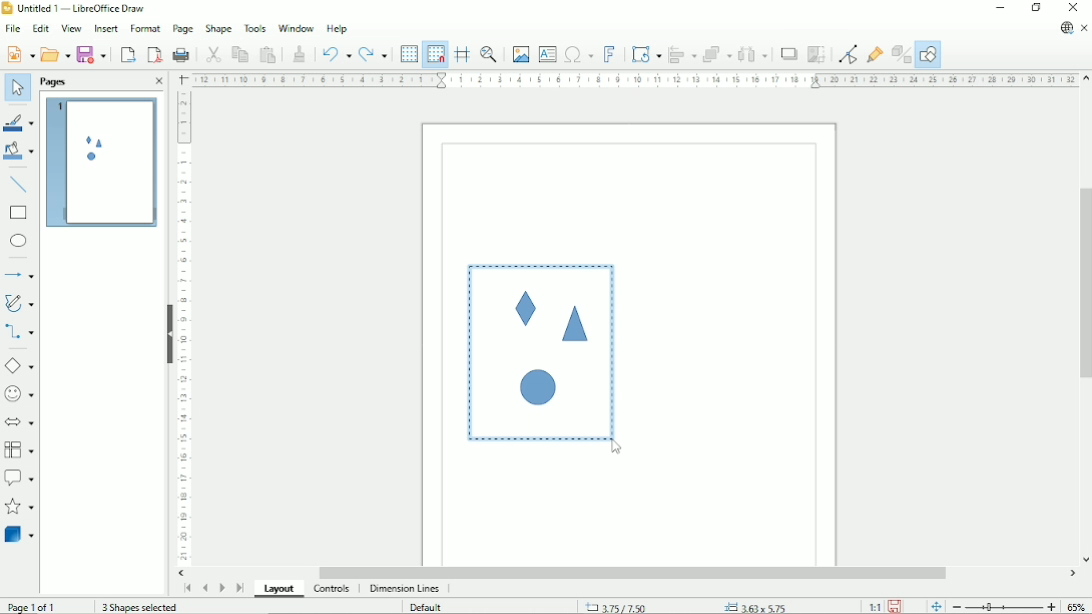  I want to click on Rectangle, so click(19, 213).